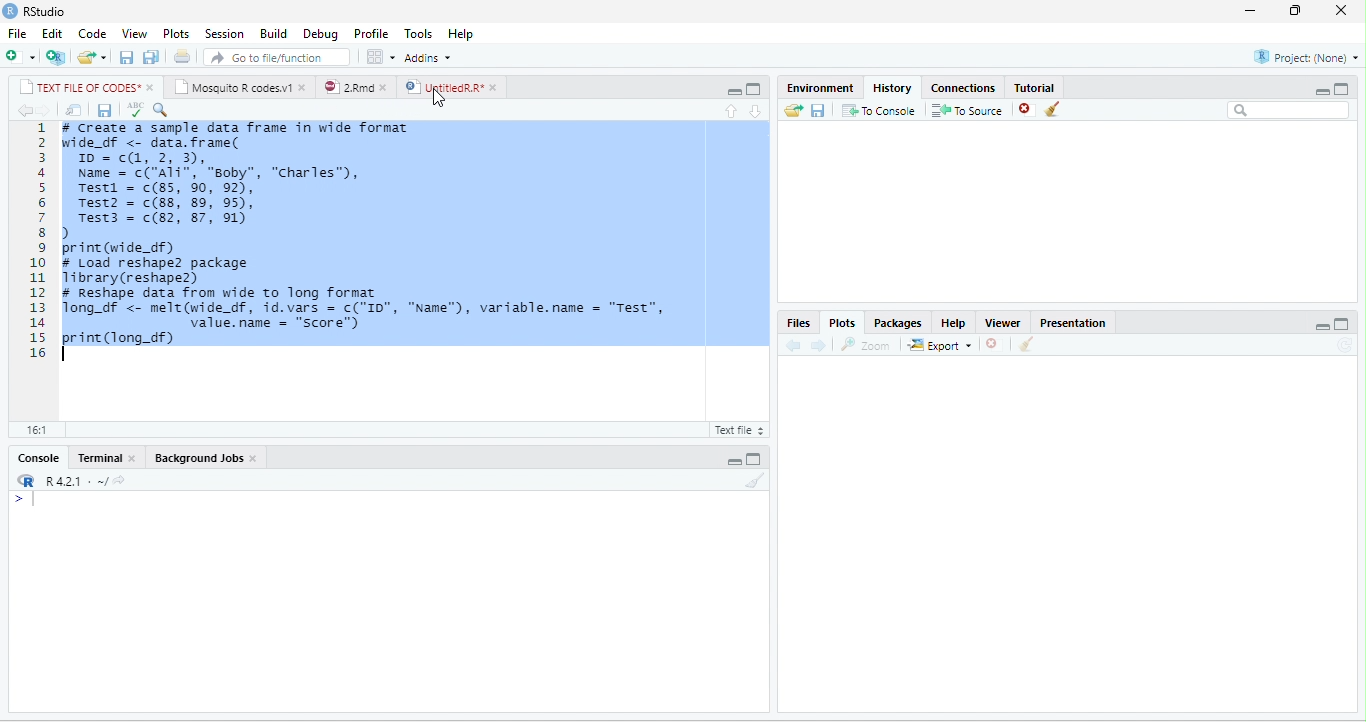  Describe the element at coordinates (1323, 91) in the screenshot. I see `minimize` at that location.